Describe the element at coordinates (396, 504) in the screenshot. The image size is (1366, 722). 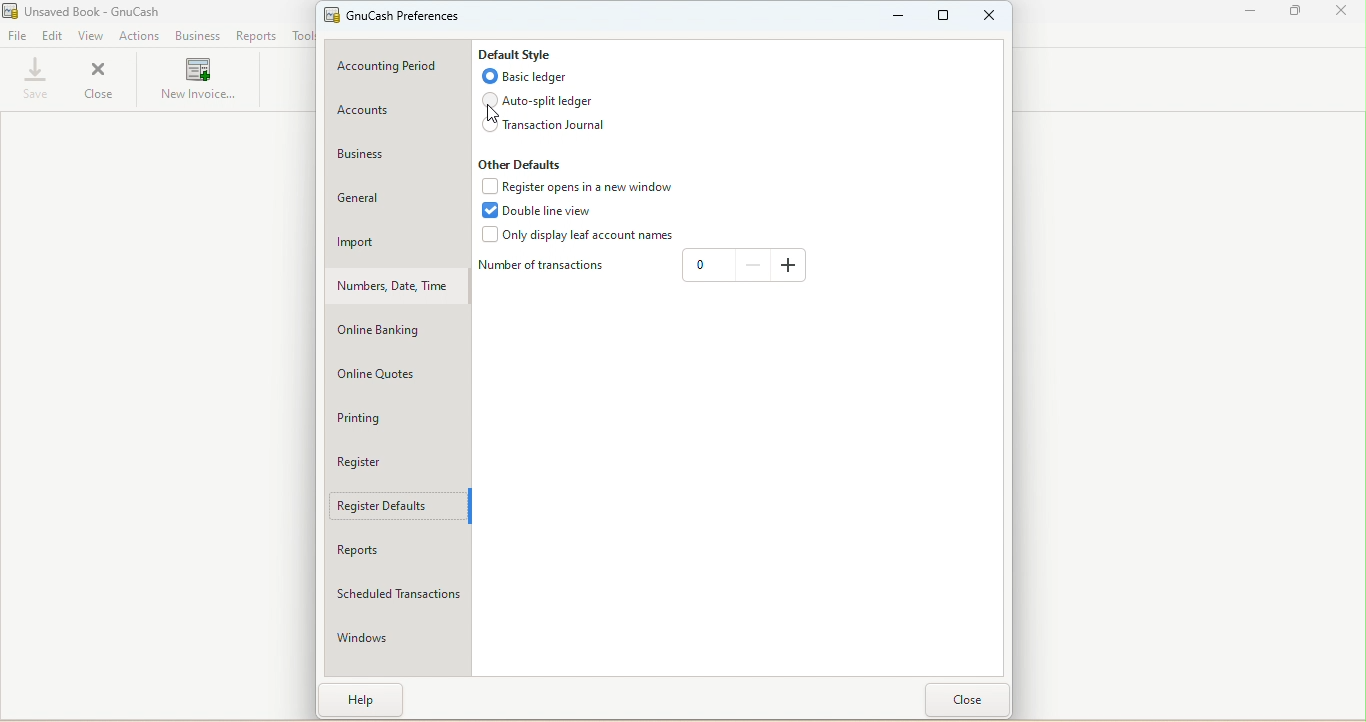
I see `Register defaults` at that location.